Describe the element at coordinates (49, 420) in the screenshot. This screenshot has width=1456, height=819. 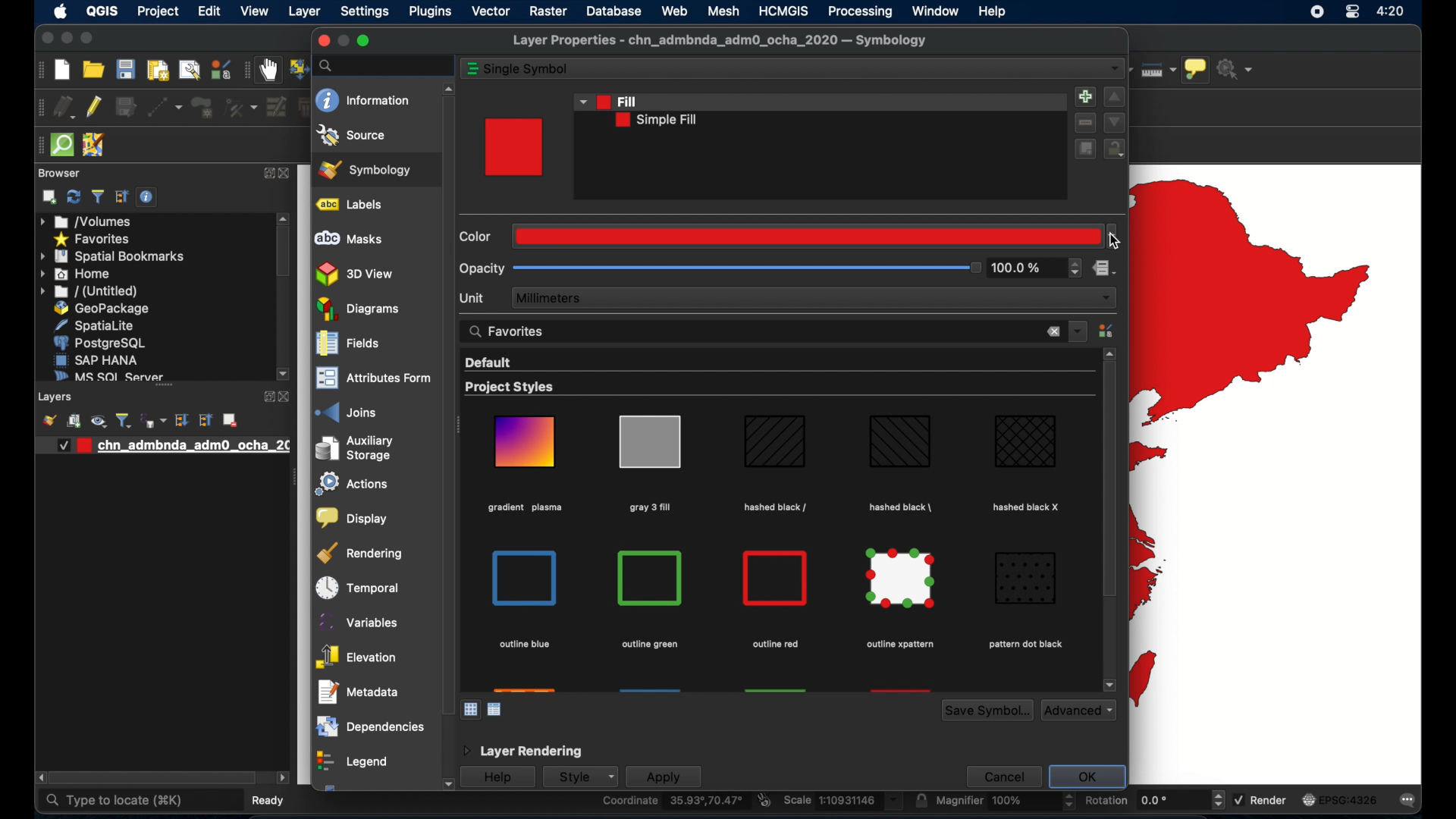
I see `open layer styling panel` at that location.